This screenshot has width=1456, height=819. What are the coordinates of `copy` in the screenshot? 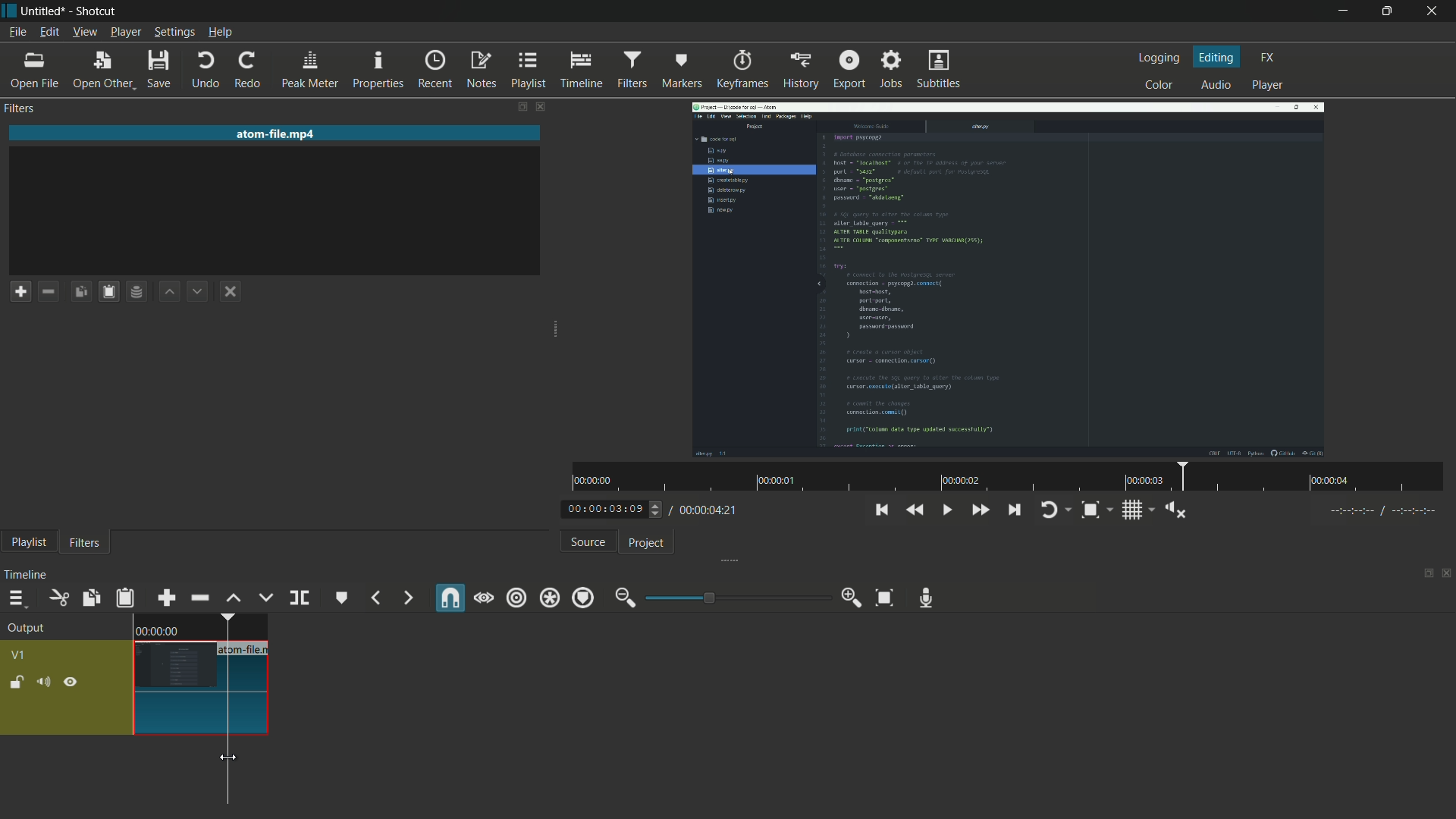 It's located at (90, 598).